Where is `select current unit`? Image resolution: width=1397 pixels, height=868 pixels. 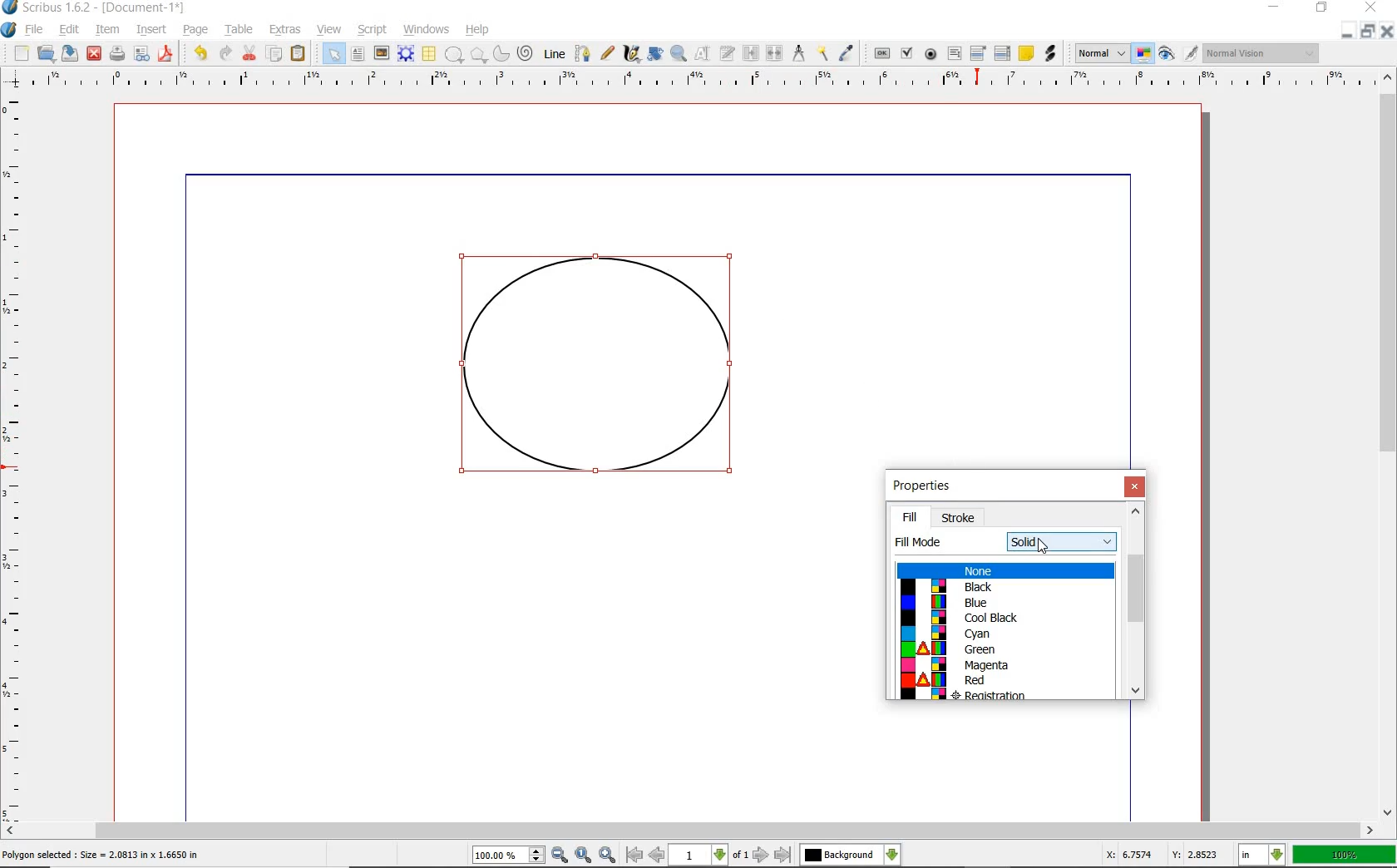
select current unit is located at coordinates (1261, 853).